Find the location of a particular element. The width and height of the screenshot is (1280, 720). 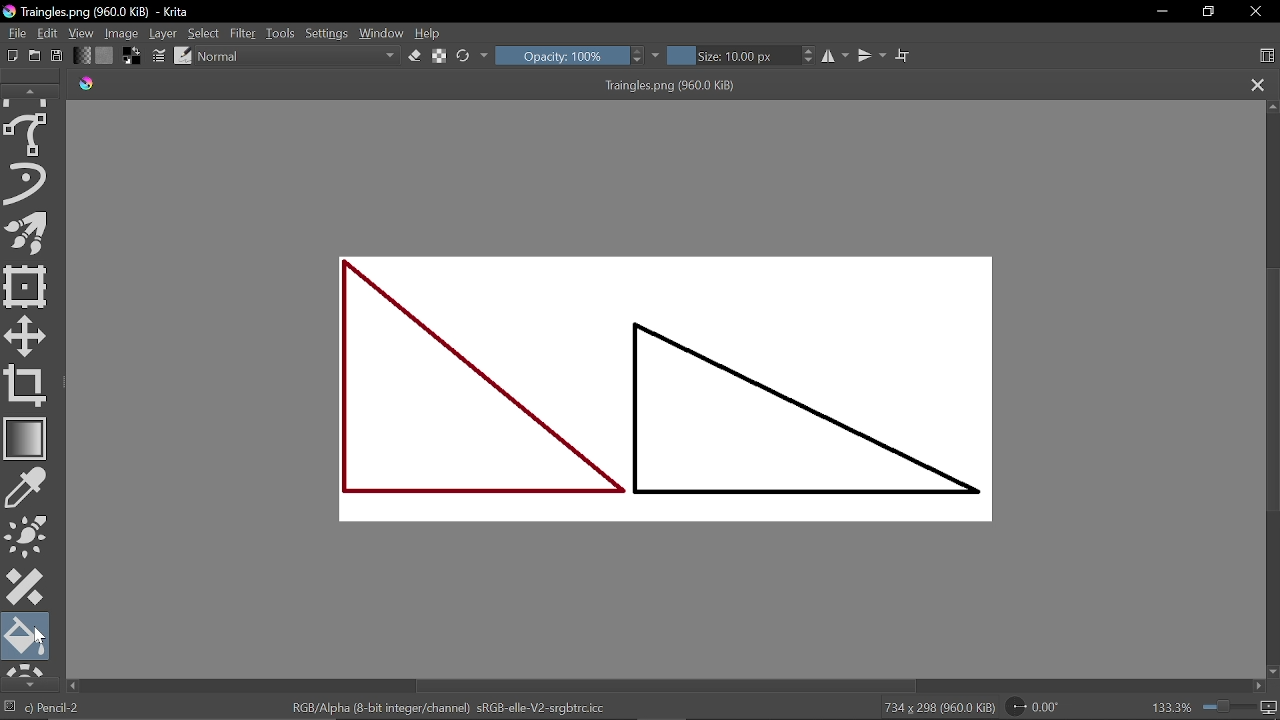

Close is located at coordinates (1255, 13).